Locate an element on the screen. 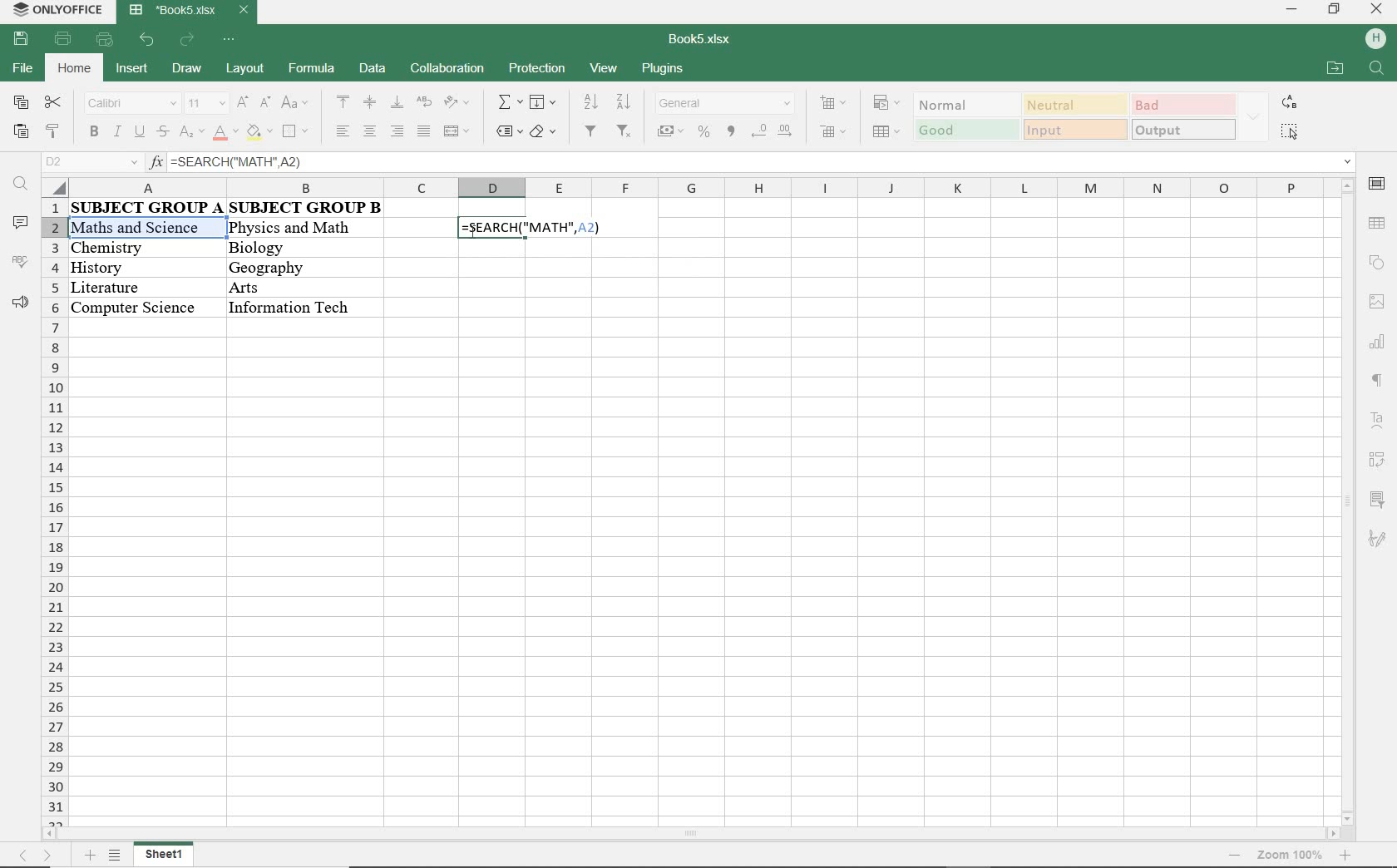 This screenshot has height=868, width=1397. file is located at coordinates (21, 68).